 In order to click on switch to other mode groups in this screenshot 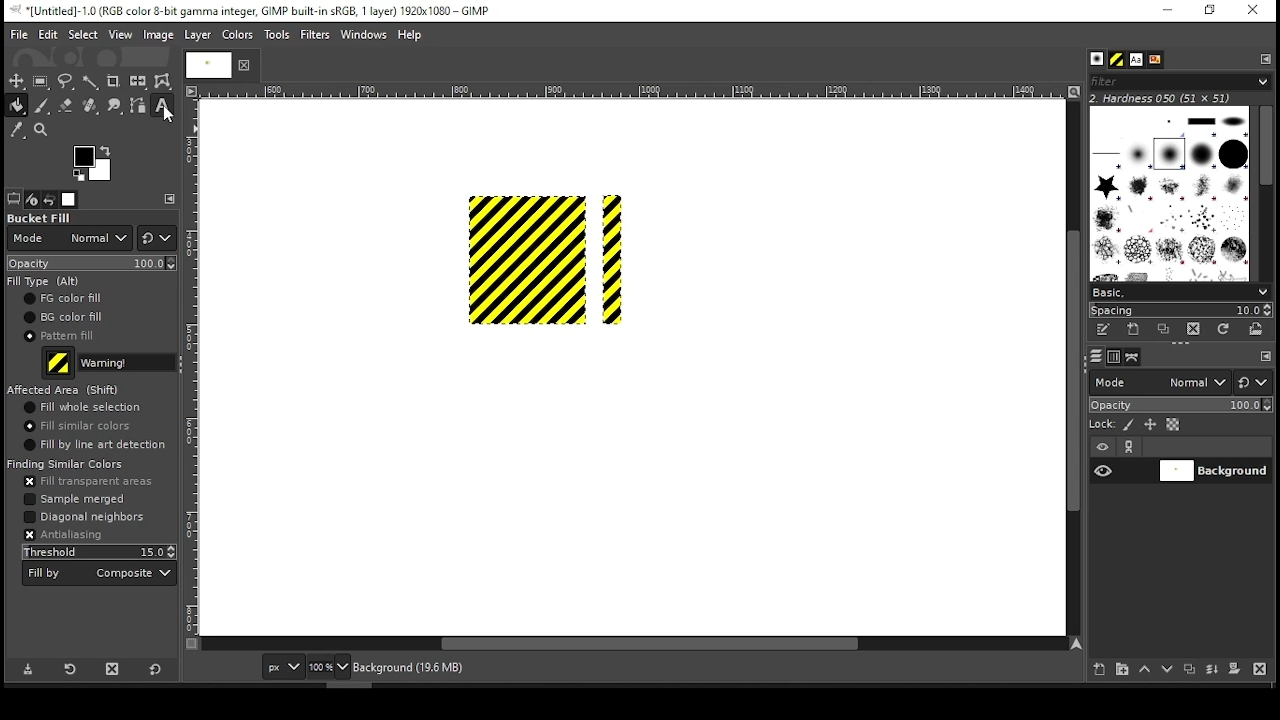, I will do `click(1252, 384)`.